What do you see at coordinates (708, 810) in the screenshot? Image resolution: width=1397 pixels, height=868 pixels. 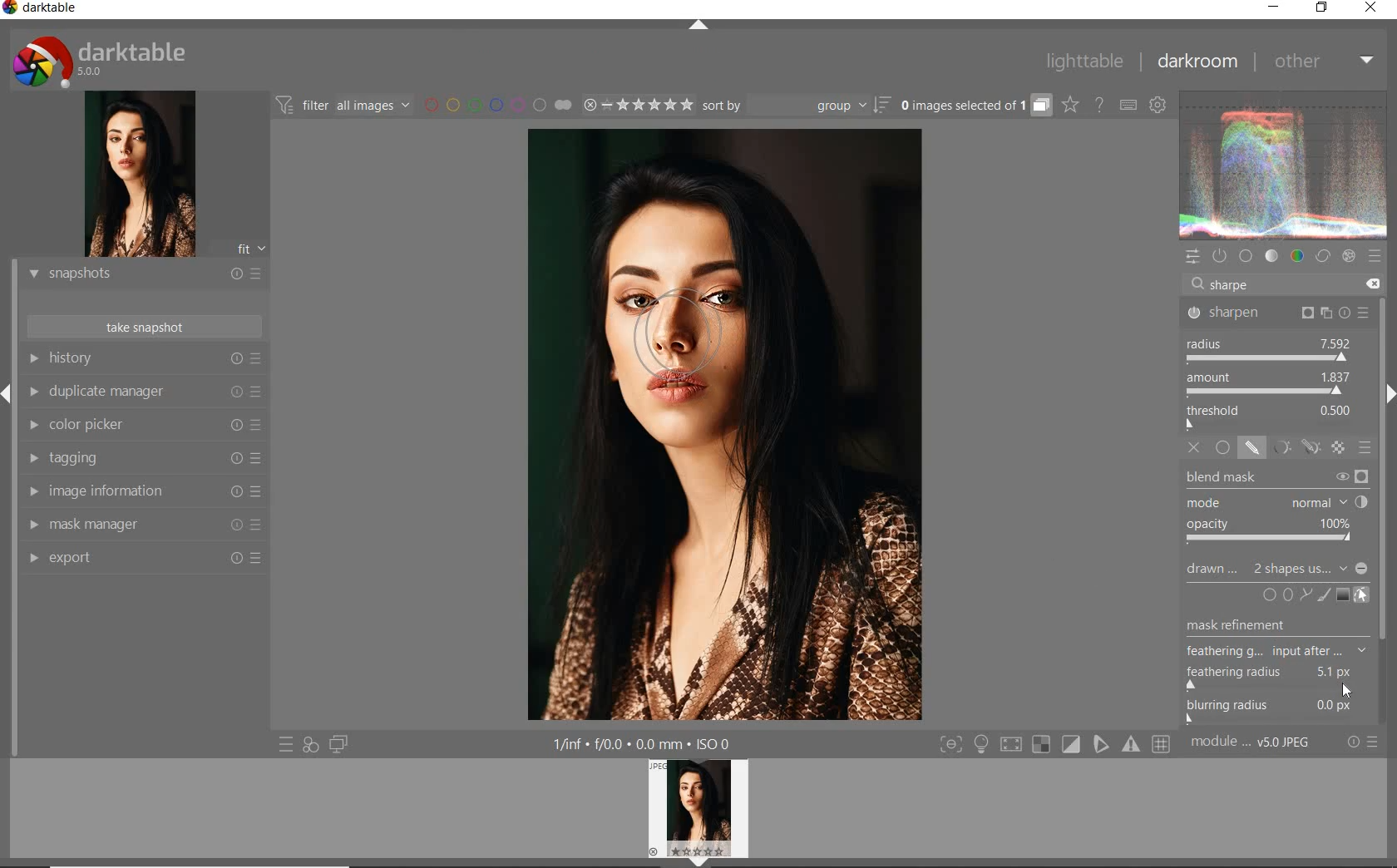 I see `profile ` at bounding box center [708, 810].